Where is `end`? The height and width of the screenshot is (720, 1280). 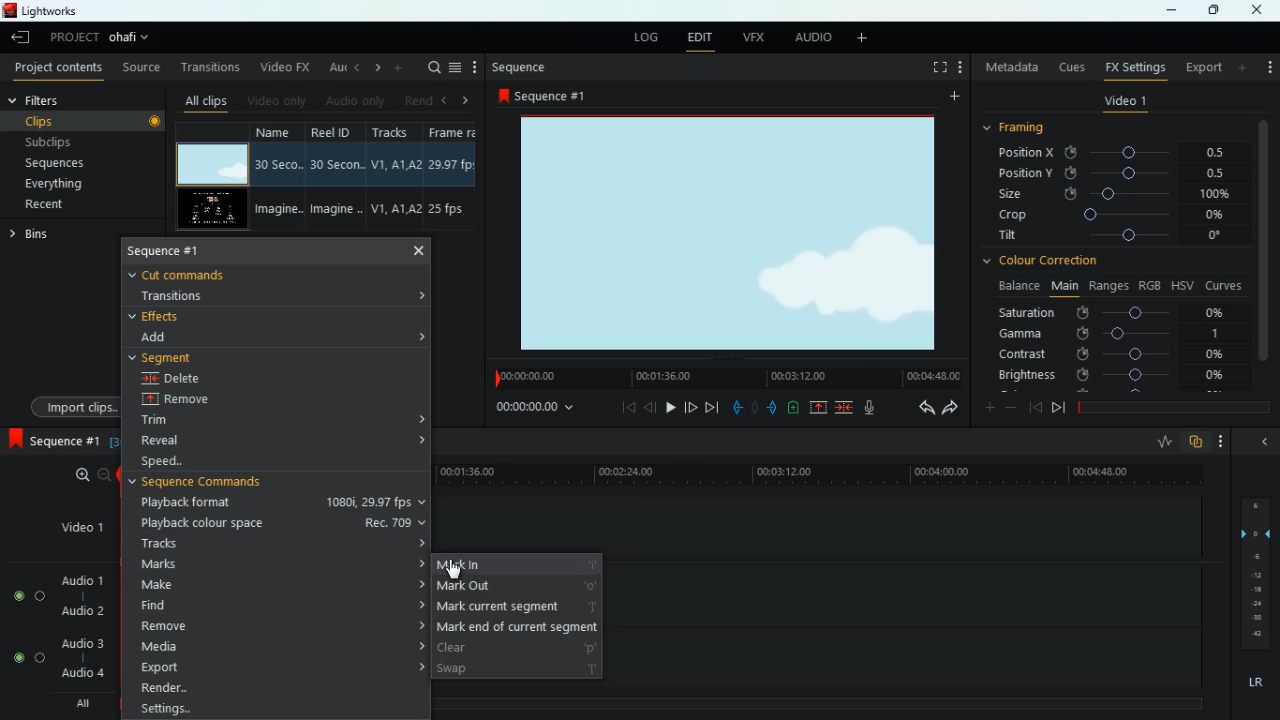 end is located at coordinates (712, 406).